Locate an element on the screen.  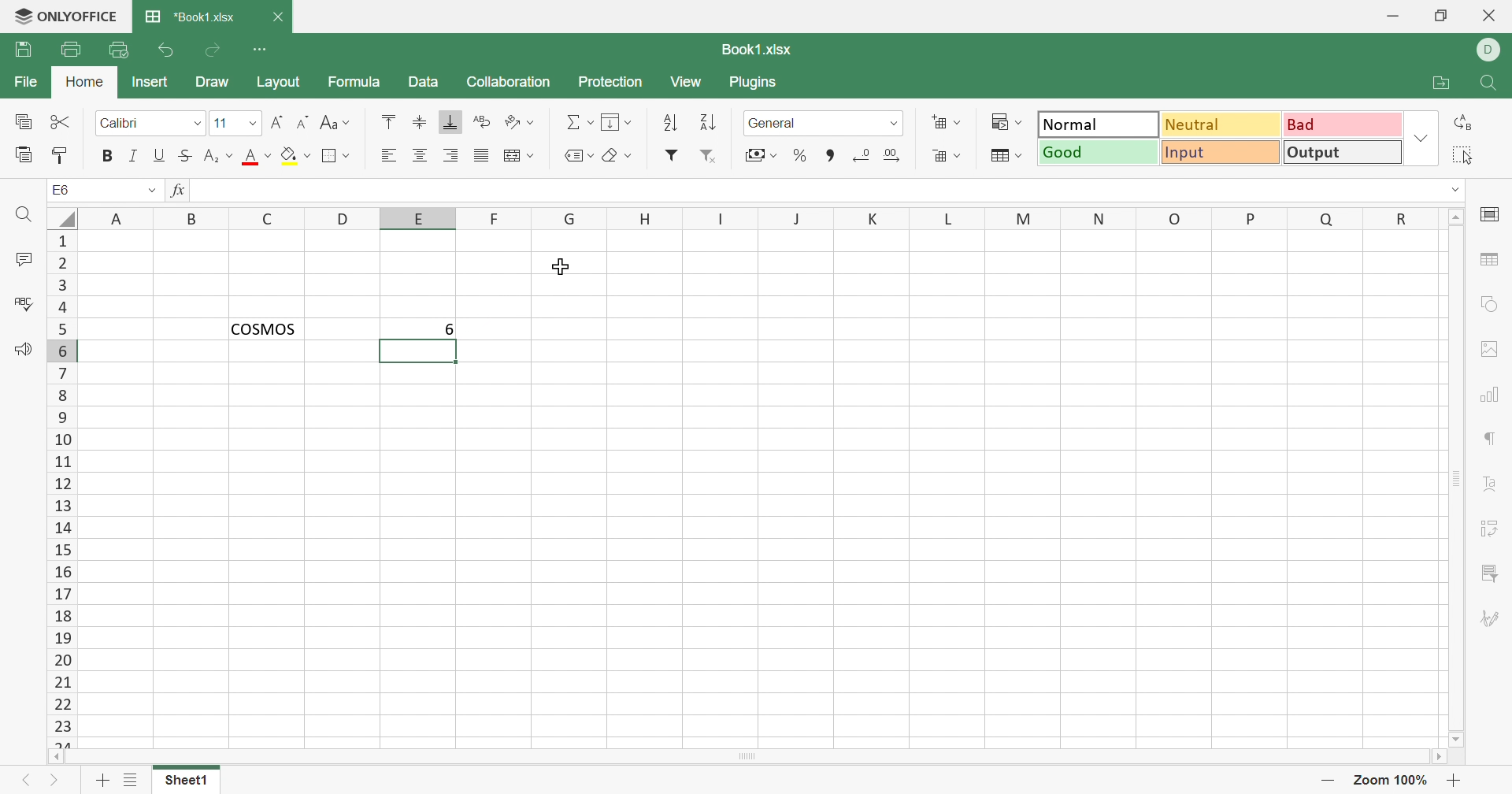
COSMOS is located at coordinates (272, 329).